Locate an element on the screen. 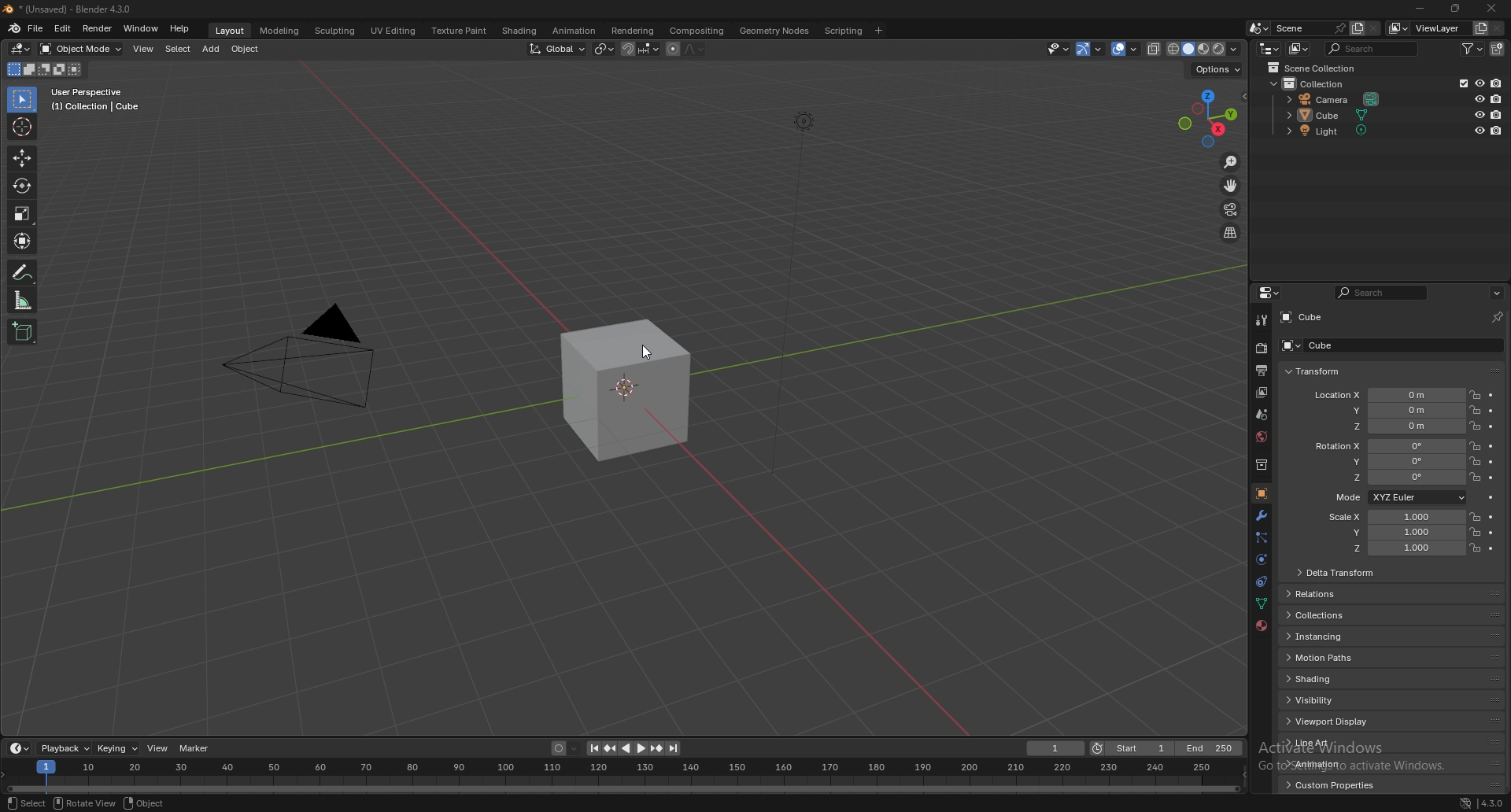  blender is located at coordinates (14, 28).